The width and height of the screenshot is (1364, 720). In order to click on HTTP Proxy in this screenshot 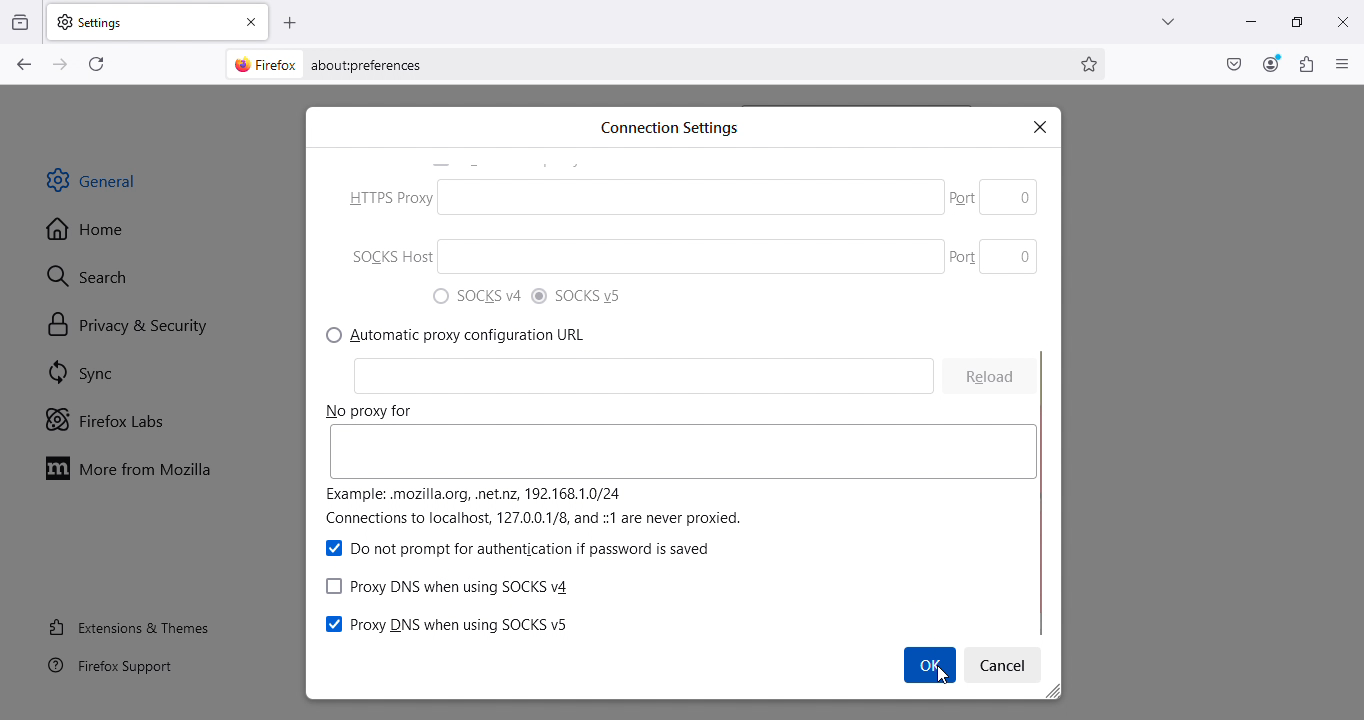, I will do `click(638, 376)`.